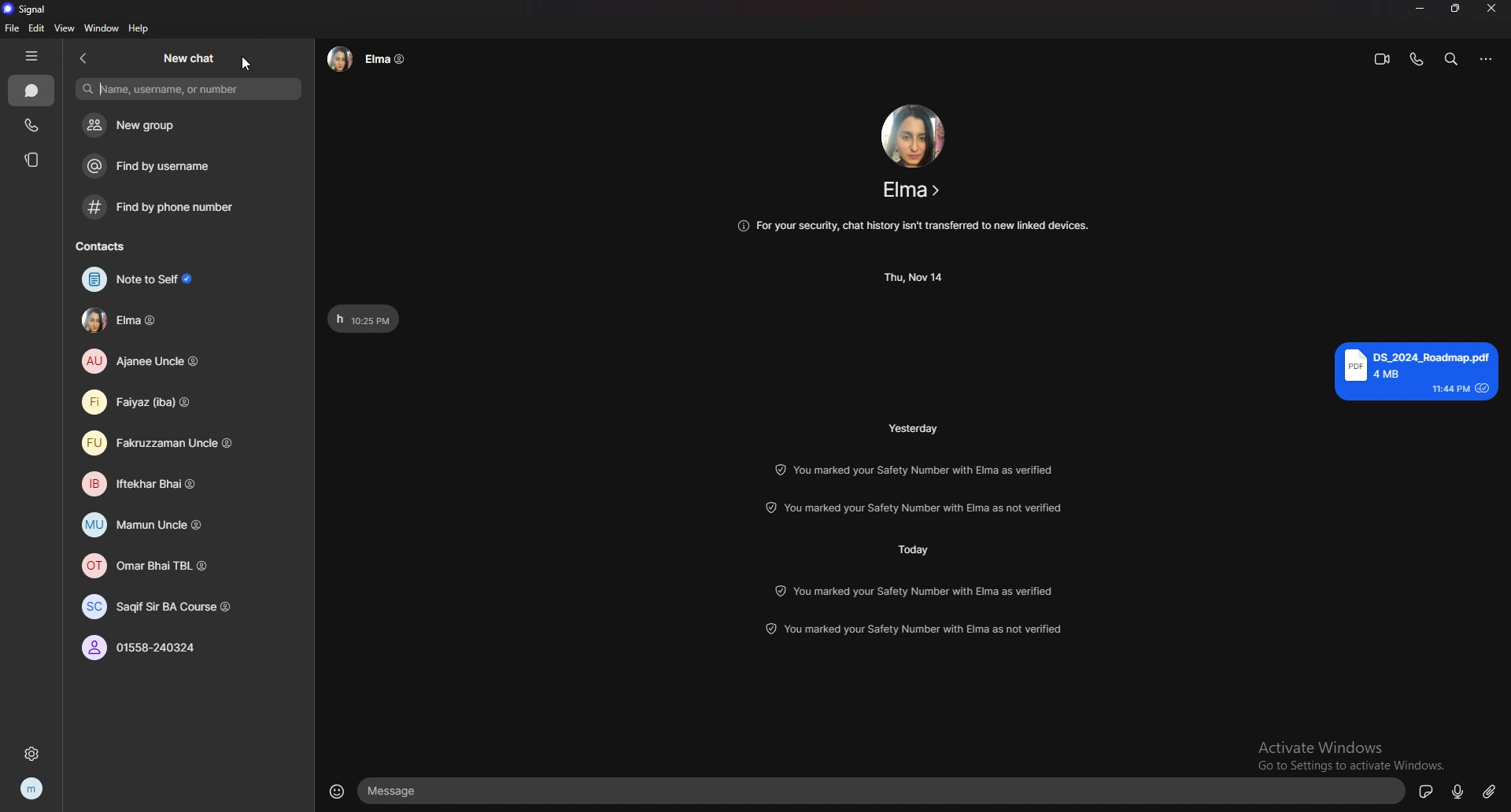  Describe the element at coordinates (1420, 7) in the screenshot. I see `minimize` at that location.